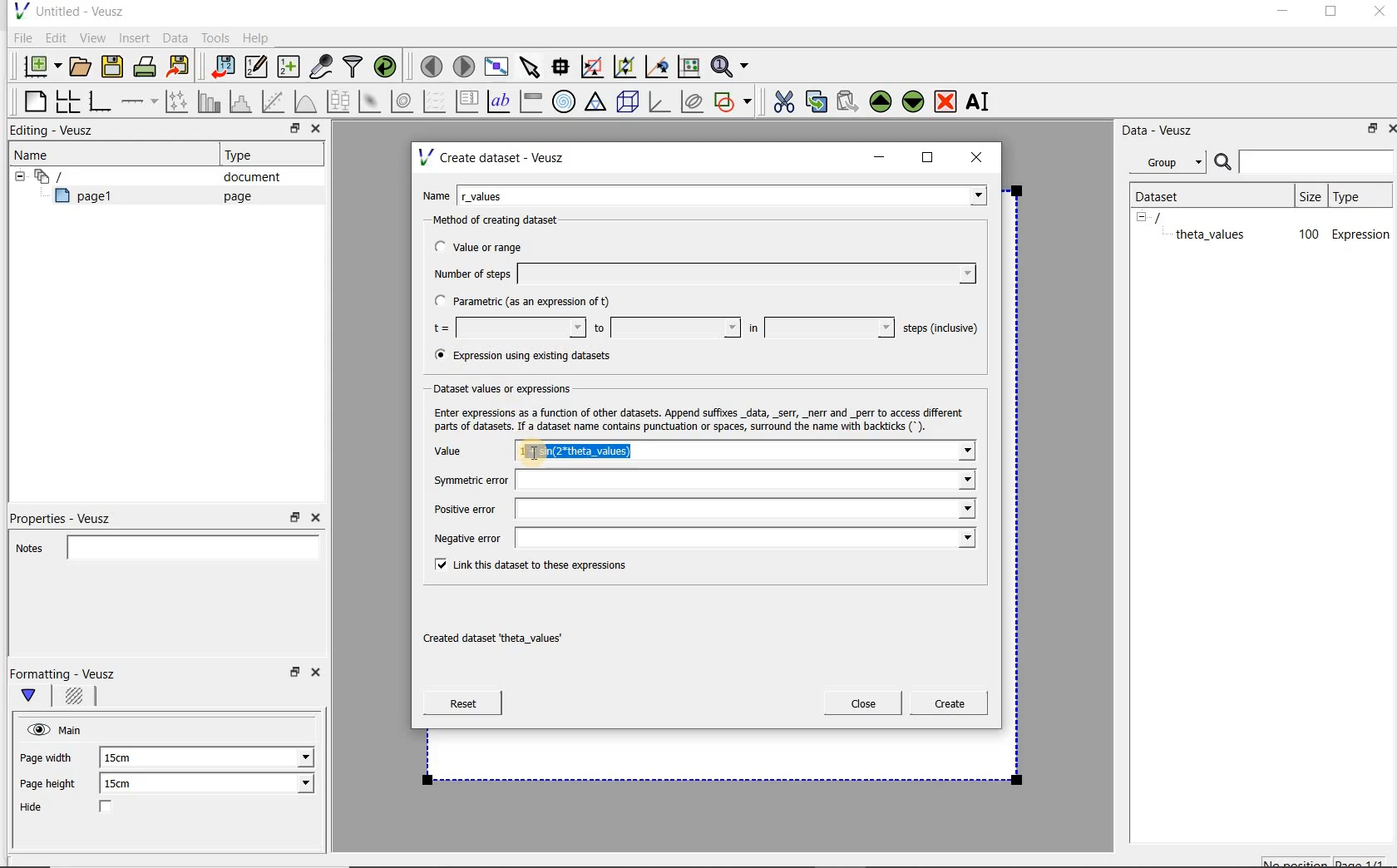 Image resolution: width=1397 pixels, height=868 pixels. What do you see at coordinates (221, 67) in the screenshot?
I see `import data into Veusz` at bounding box center [221, 67].